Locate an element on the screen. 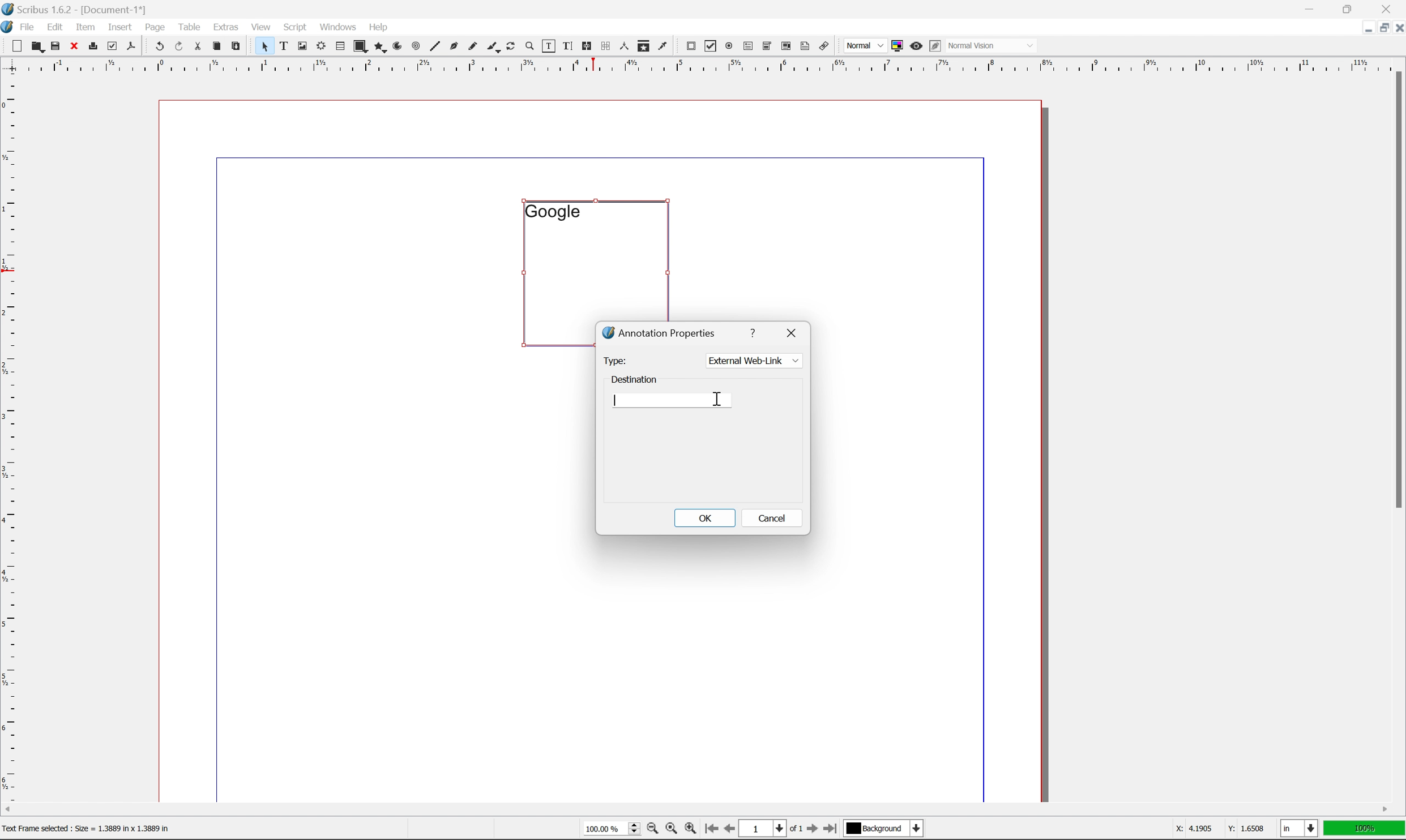 The image size is (1406, 840). insert is located at coordinates (120, 26).